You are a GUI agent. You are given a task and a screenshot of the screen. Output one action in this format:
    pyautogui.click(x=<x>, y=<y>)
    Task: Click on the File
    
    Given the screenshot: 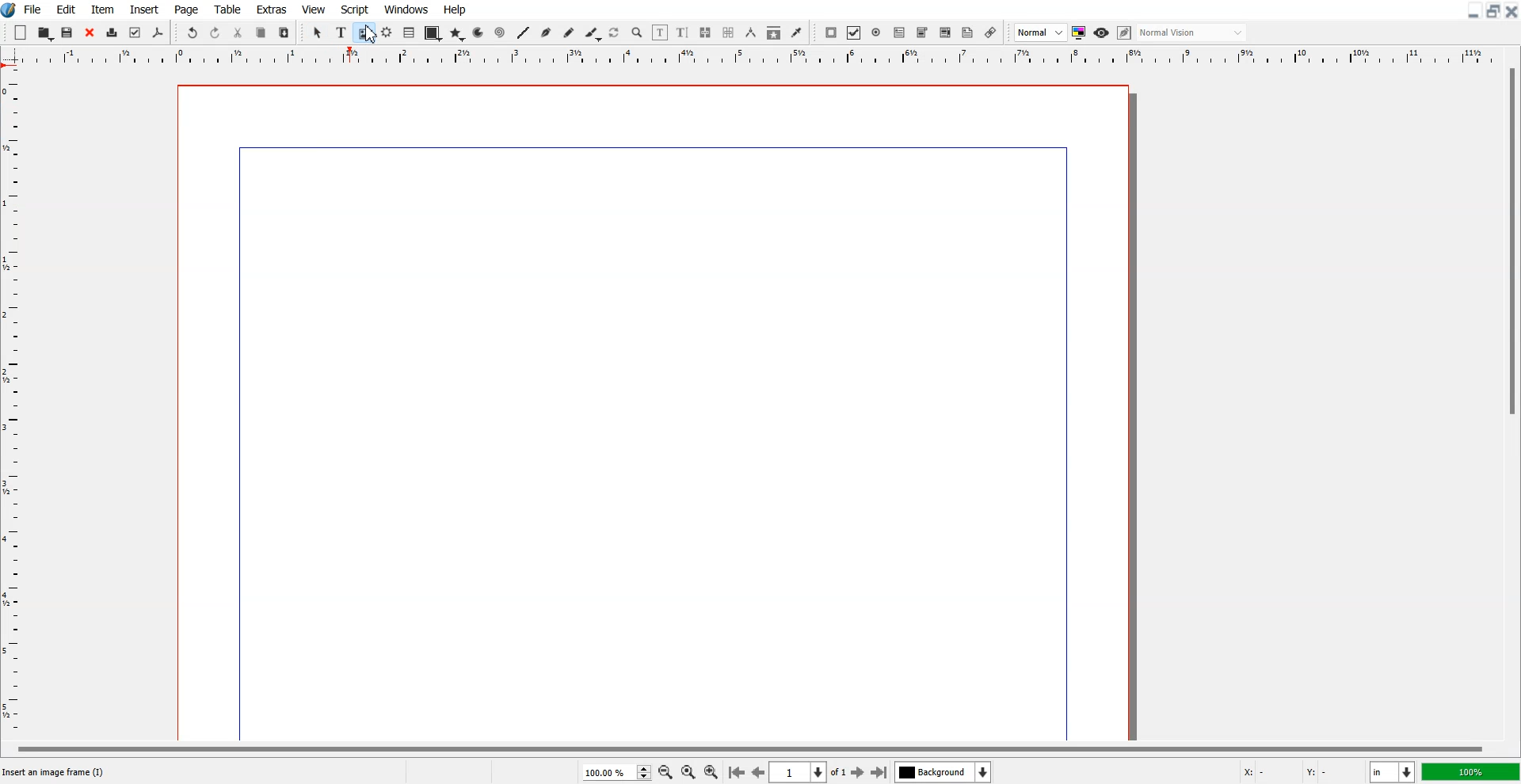 What is the action you would take?
    pyautogui.click(x=33, y=9)
    